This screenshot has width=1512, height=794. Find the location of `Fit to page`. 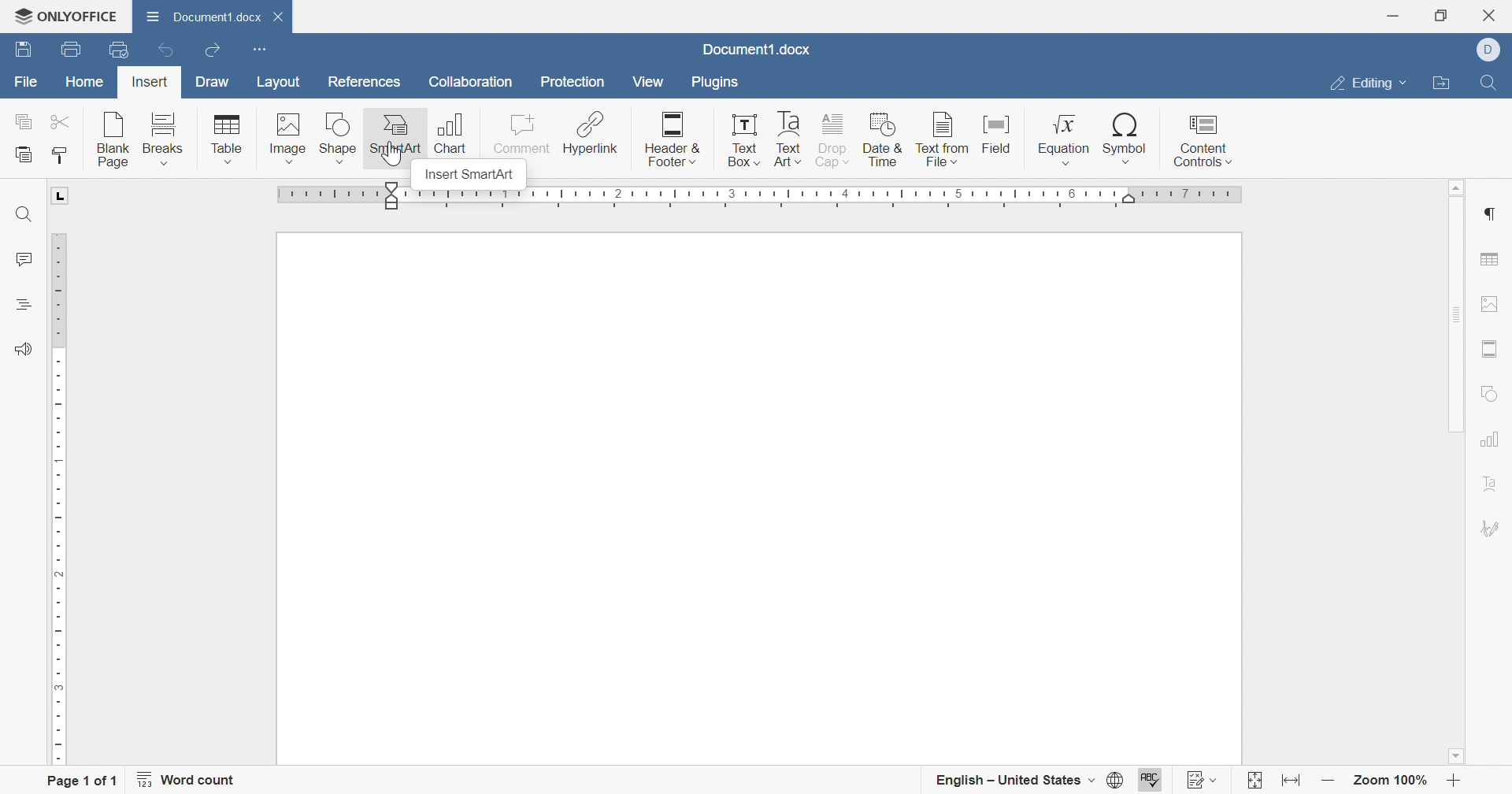

Fit to page is located at coordinates (1255, 780).